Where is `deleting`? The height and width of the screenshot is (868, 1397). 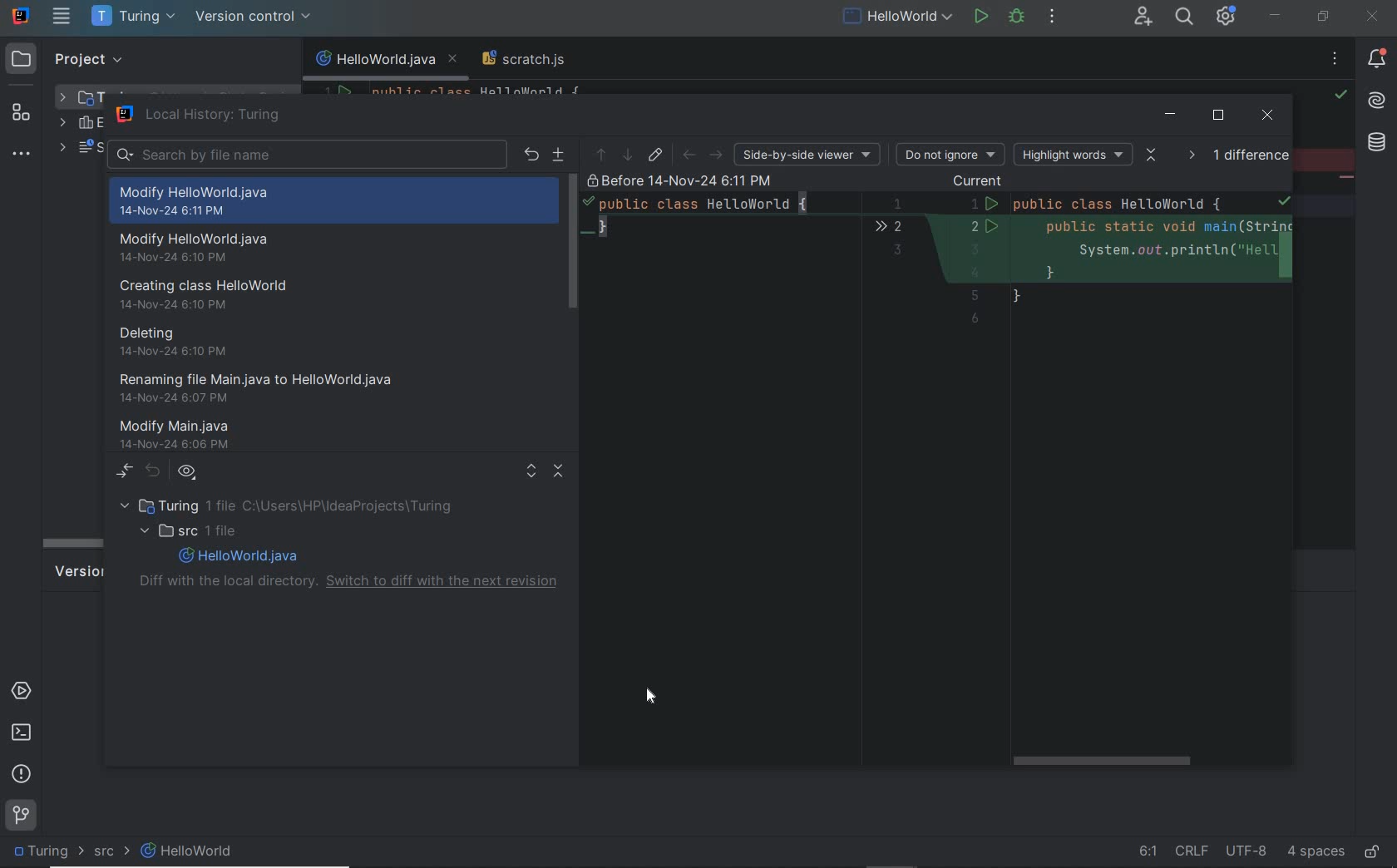
deleting is located at coordinates (180, 343).